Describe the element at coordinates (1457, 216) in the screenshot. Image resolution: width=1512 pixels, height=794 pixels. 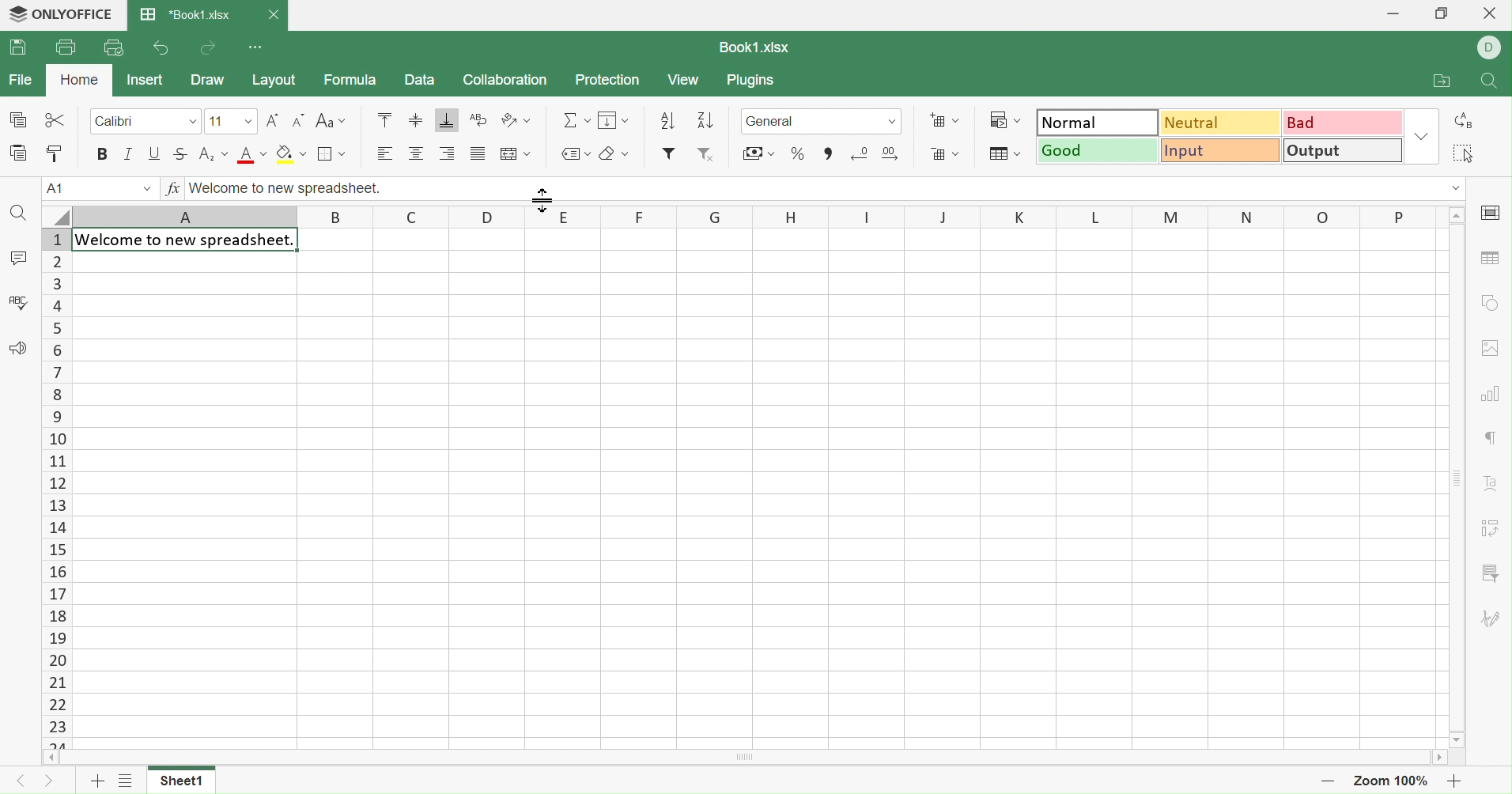
I see `Drop Down` at that location.